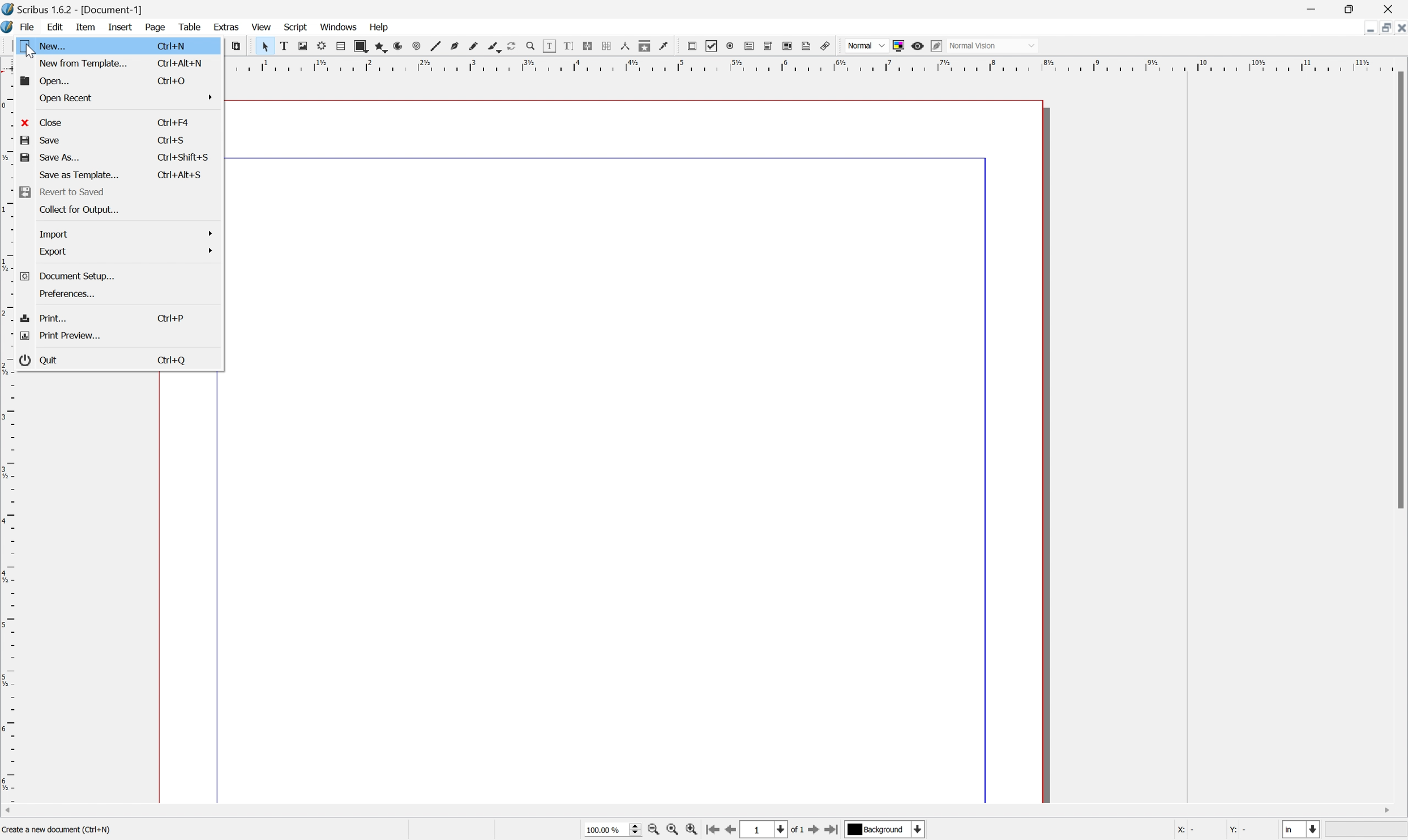 The image size is (1408, 840). What do you see at coordinates (608, 829) in the screenshot?
I see `100.00%` at bounding box center [608, 829].